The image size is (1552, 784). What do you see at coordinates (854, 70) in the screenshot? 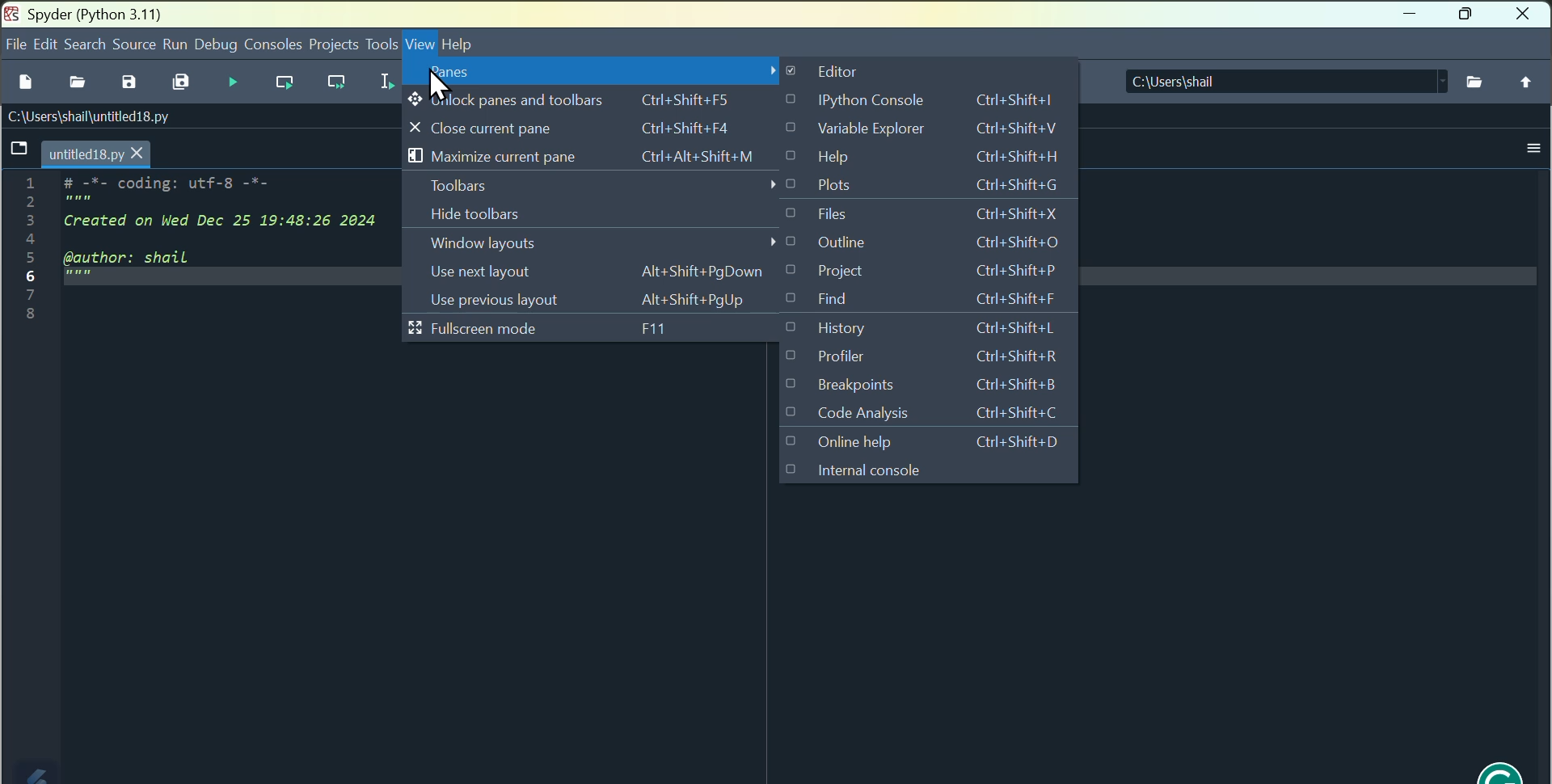
I see `Editor` at bounding box center [854, 70].